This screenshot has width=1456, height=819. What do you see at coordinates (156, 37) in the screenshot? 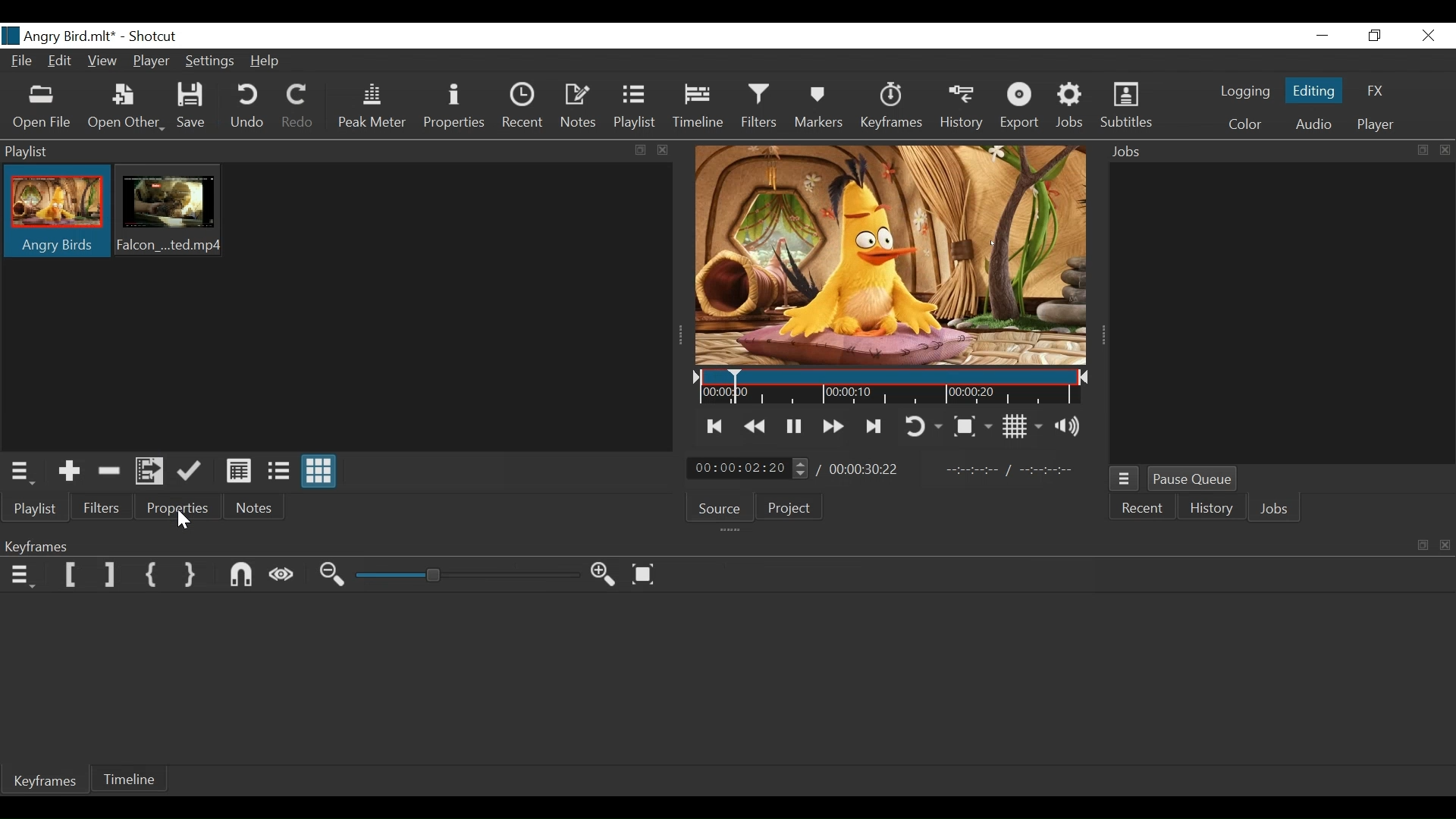
I see `Shotcut` at bounding box center [156, 37].